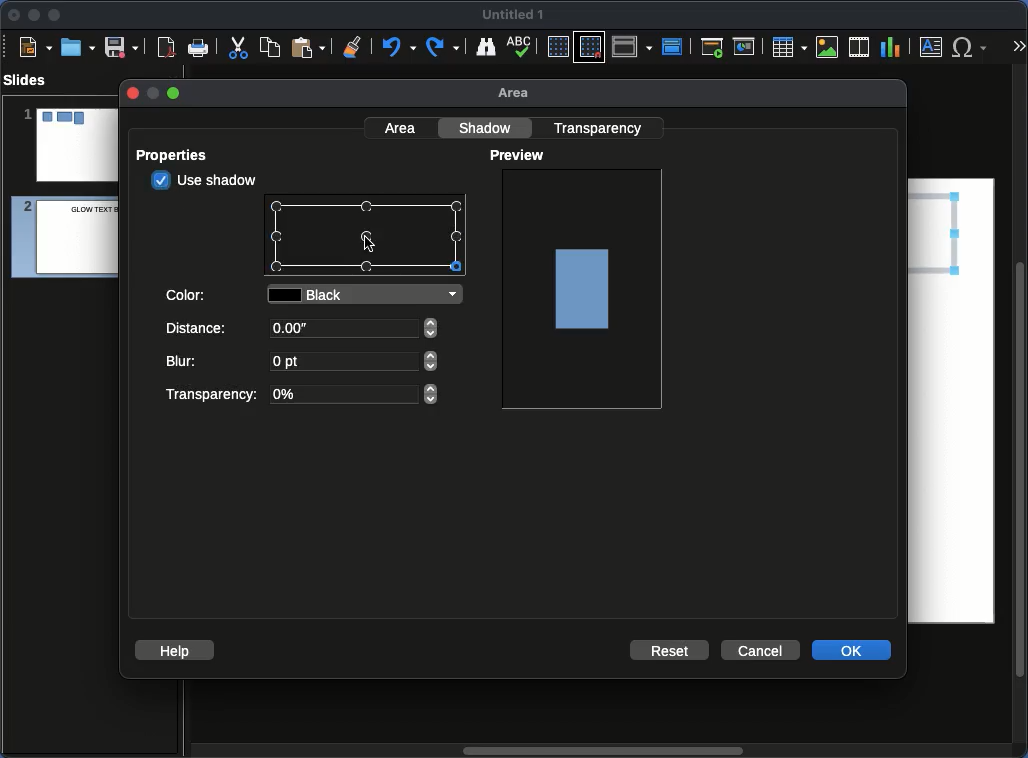 This screenshot has height=758, width=1028. Describe the element at coordinates (788, 46) in the screenshot. I see `Table` at that location.